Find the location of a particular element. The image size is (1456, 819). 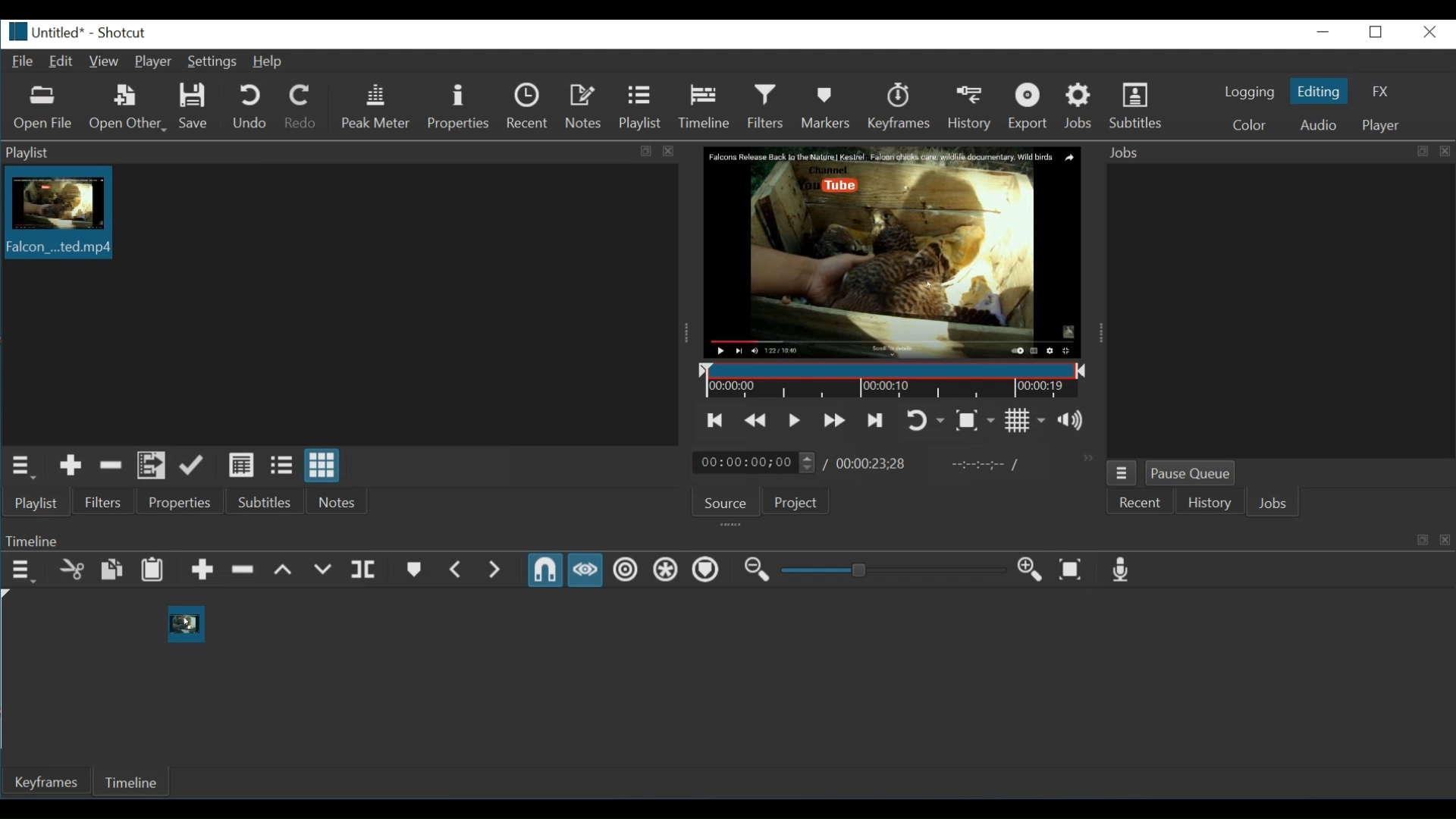

Copy is located at coordinates (112, 570).